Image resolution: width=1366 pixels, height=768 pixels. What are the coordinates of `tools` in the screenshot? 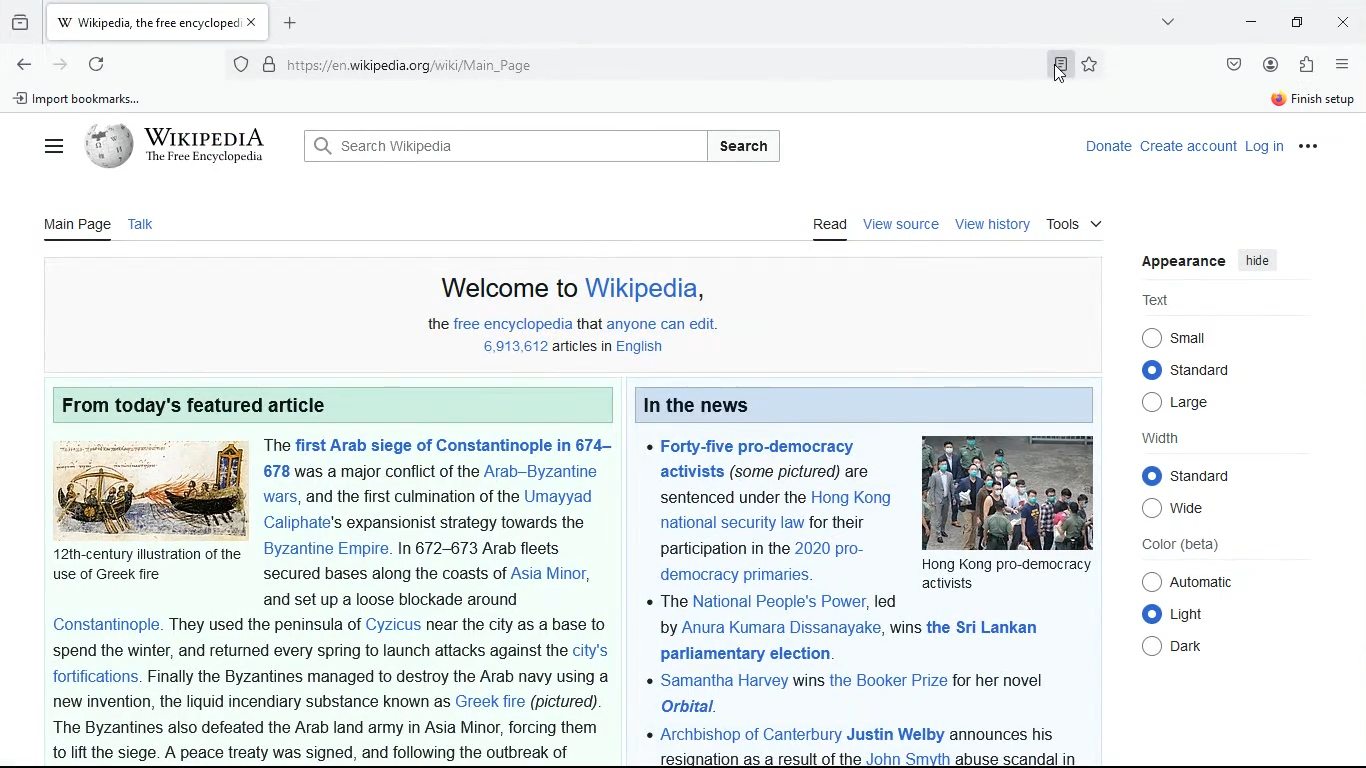 It's located at (1078, 223).